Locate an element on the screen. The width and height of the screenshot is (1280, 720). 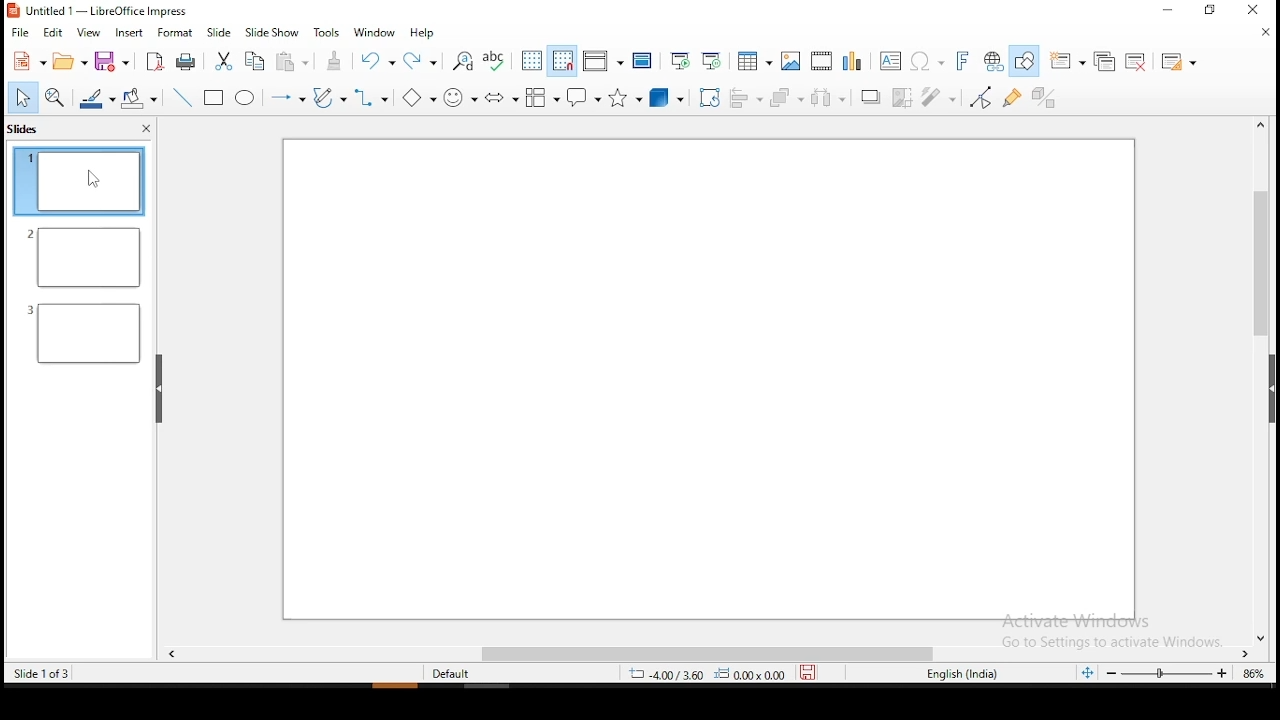
curves and polygons is located at coordinates (328, 98).